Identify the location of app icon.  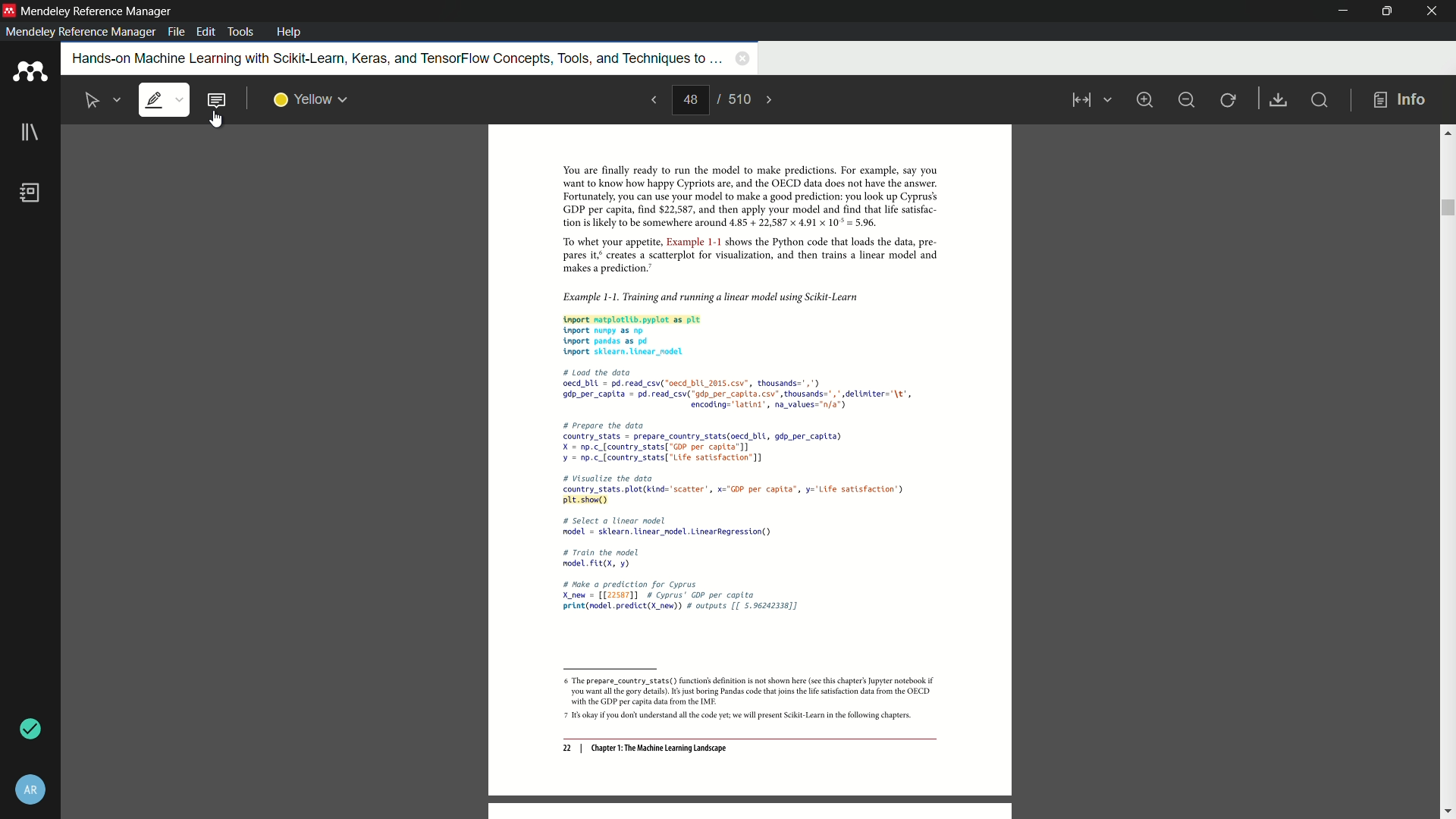
(9, 10).